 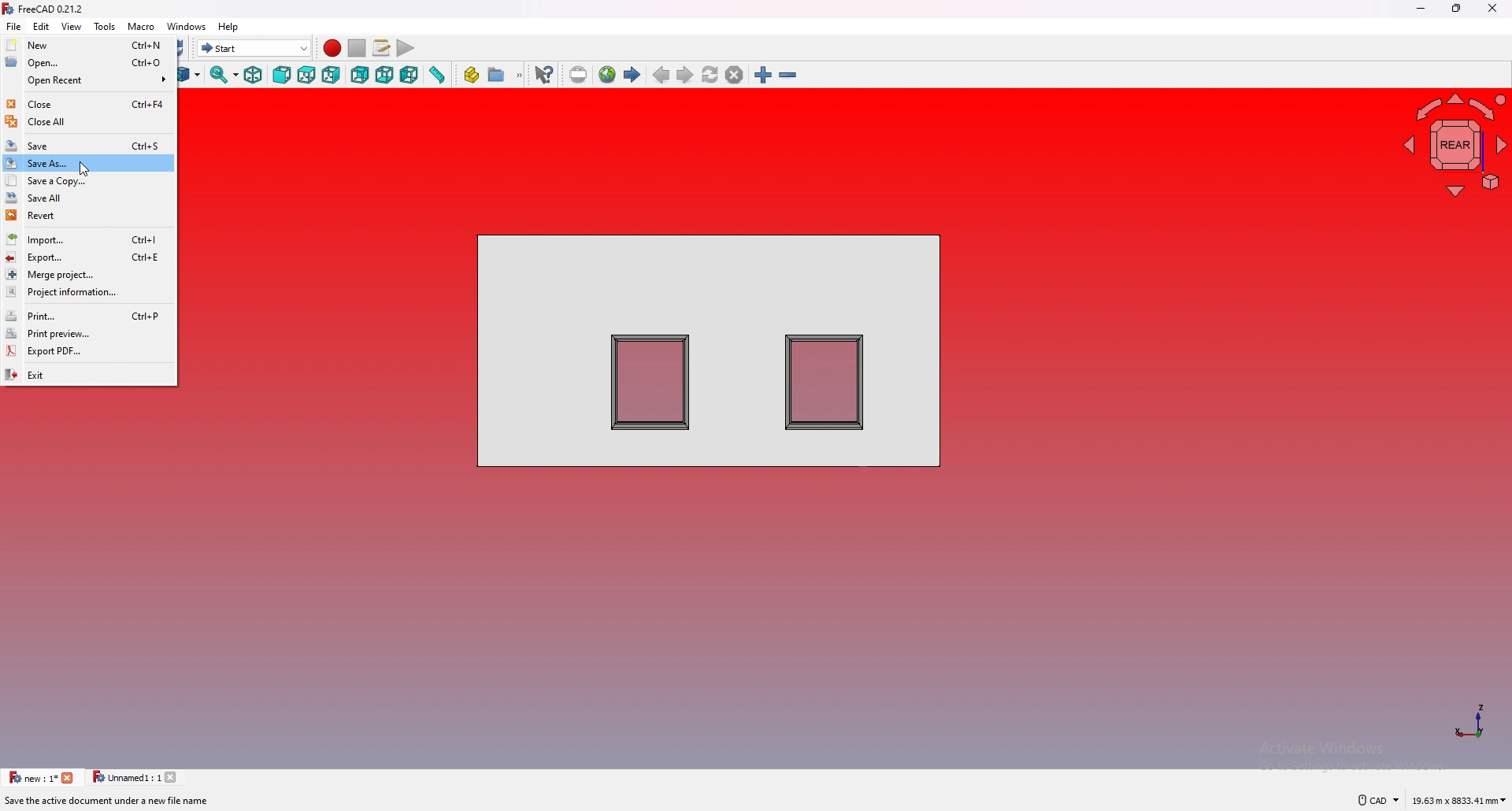 I want to click on export pdf, so click(x=88, y=352).